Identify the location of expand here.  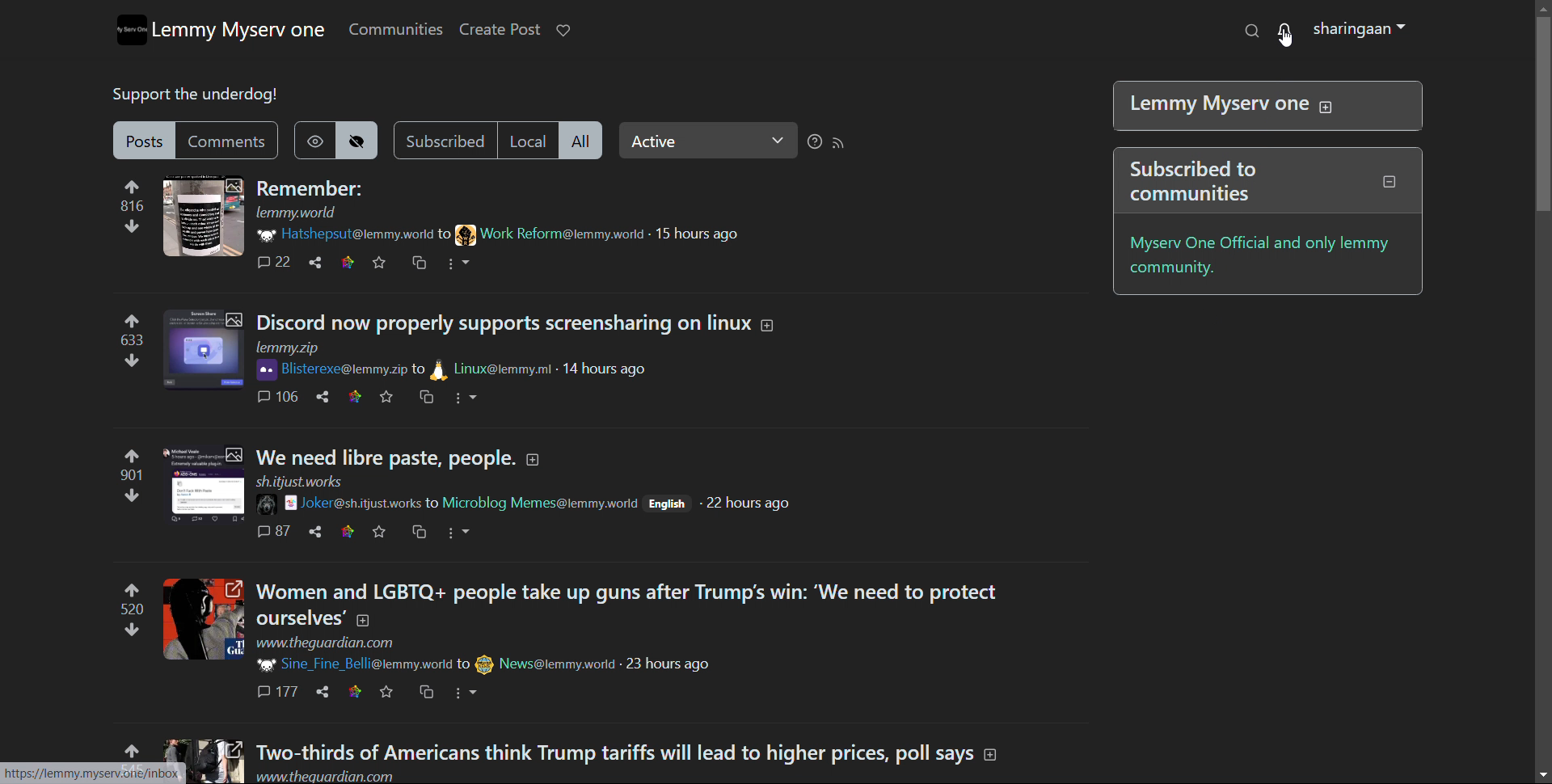
(203, 619).